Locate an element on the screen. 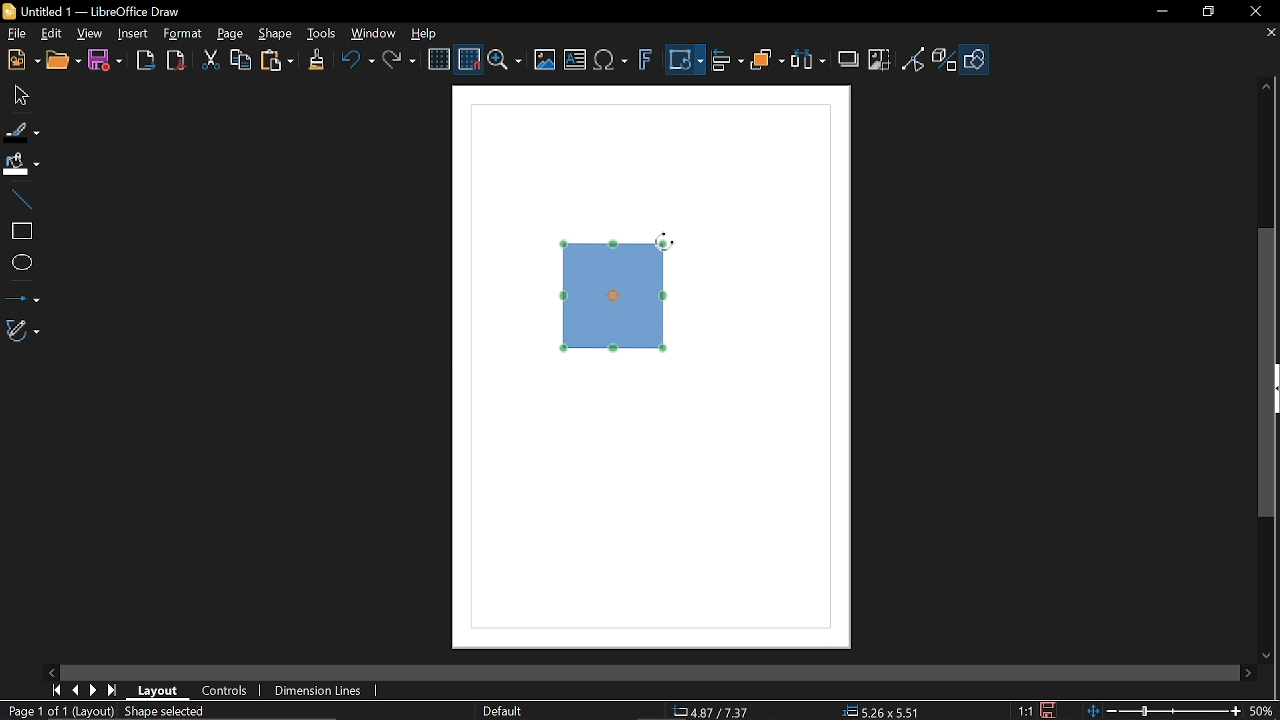 The height and width of the screenshot is (720, 1280). Toggle extrusion is located at coordinates (945, 59).